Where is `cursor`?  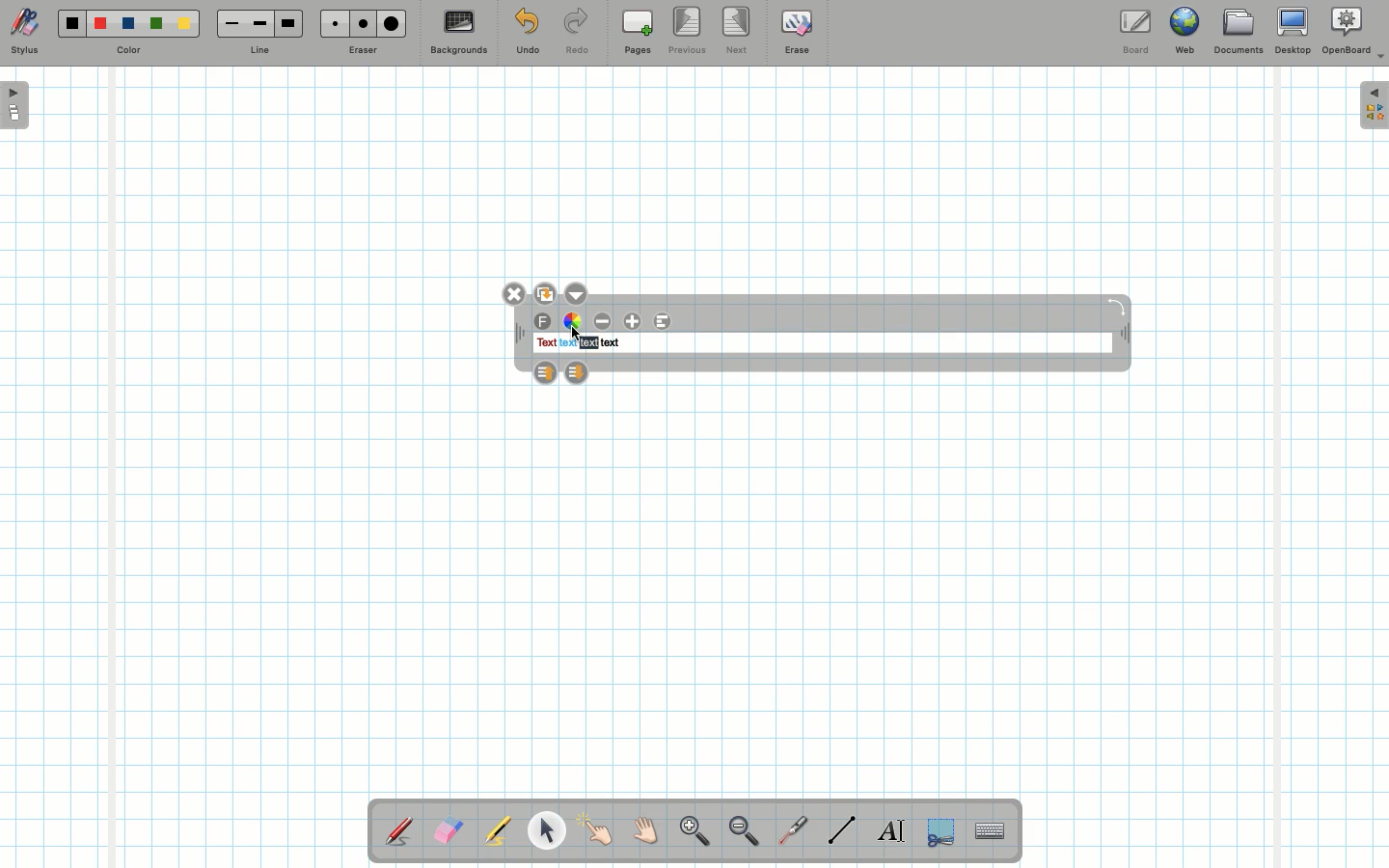
cursor is located at coordinates (577, 334).